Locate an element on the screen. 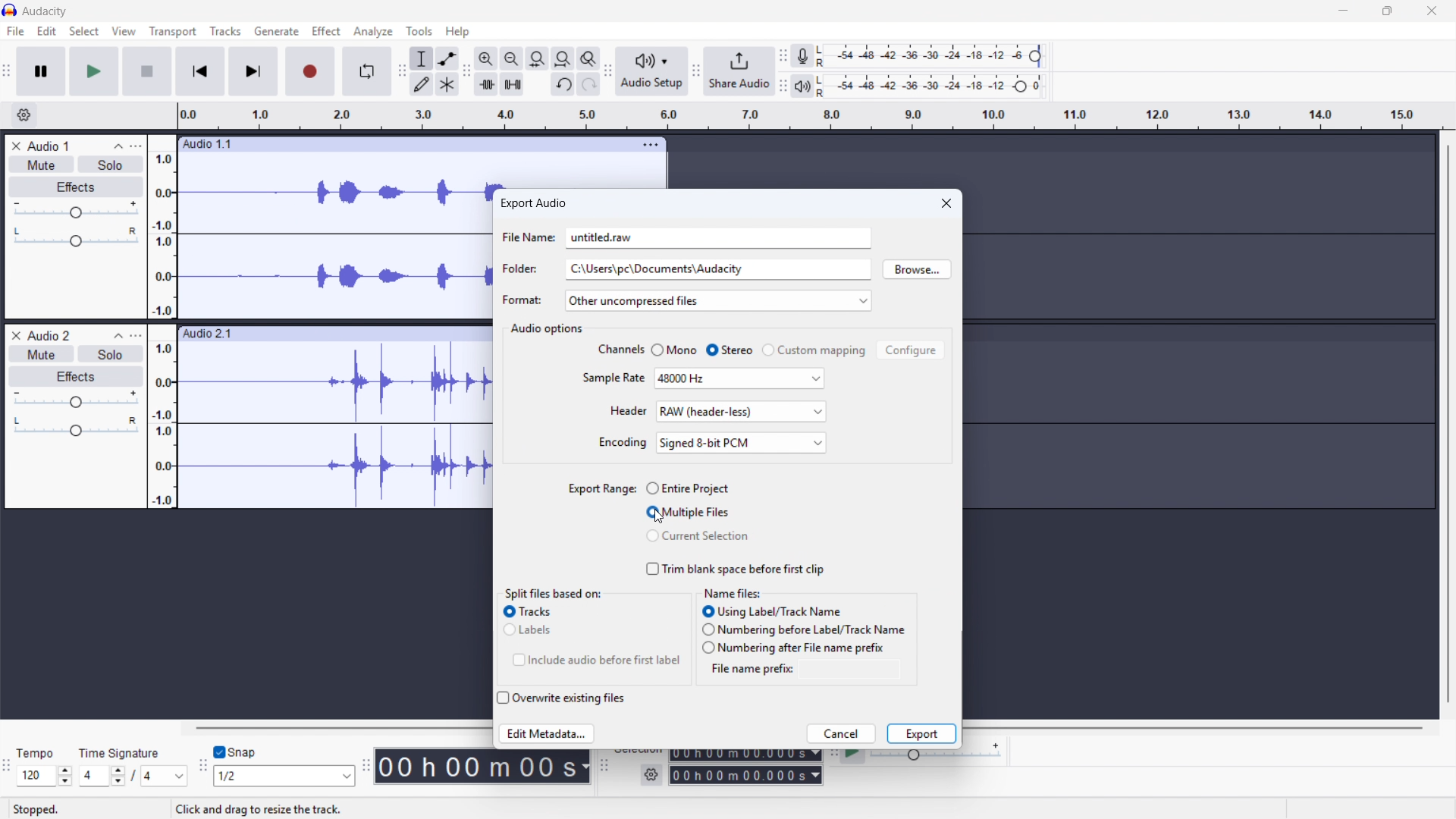 The width and height of the screenshot is (1456, 819). cancel is located at coordinates (841, 734).